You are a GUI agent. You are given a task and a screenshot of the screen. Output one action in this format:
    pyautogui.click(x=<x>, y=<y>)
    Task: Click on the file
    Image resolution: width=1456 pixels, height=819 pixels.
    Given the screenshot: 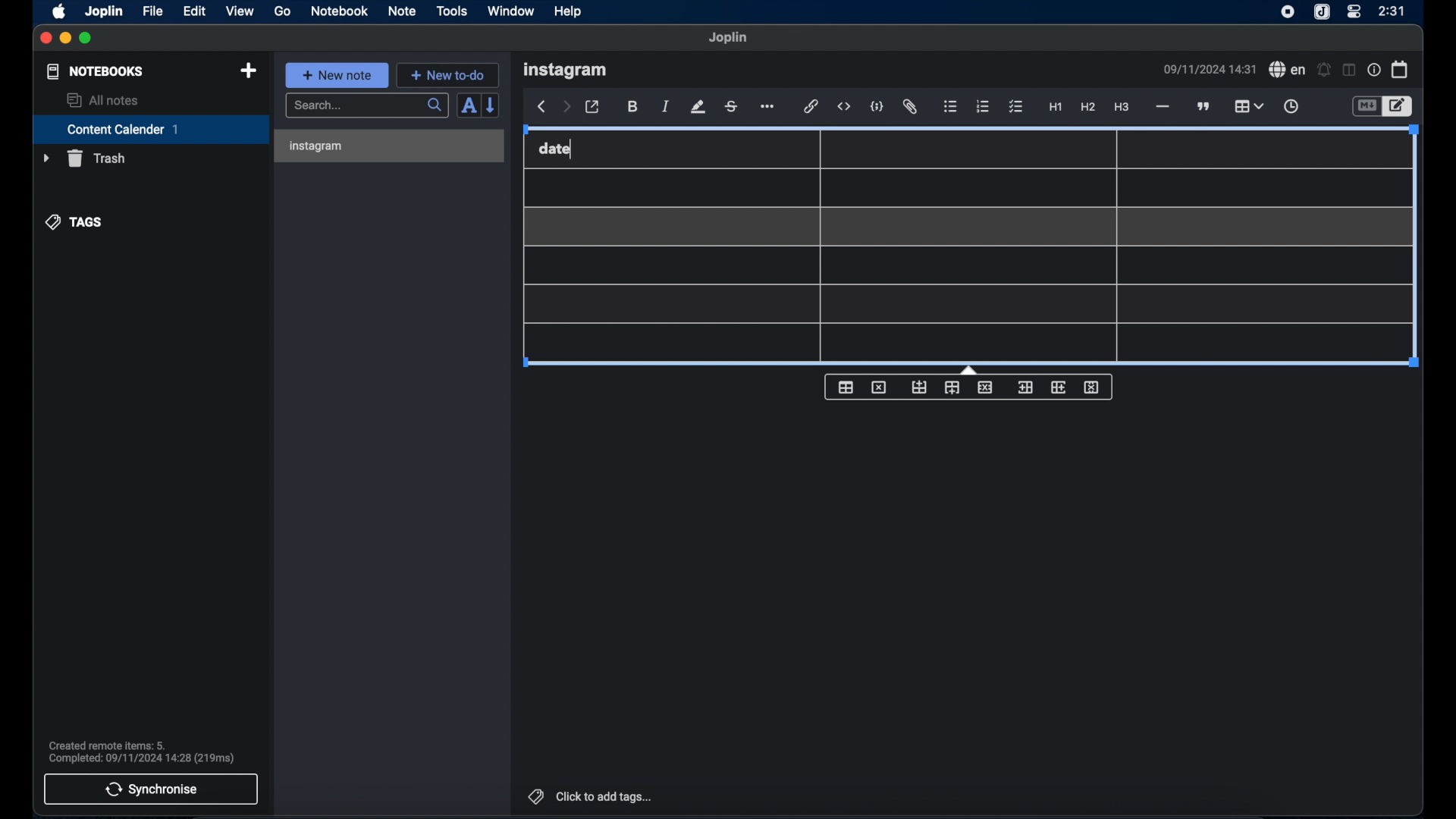 What is the action you would take?
    pyautogui.click(x=154, y=11)
    